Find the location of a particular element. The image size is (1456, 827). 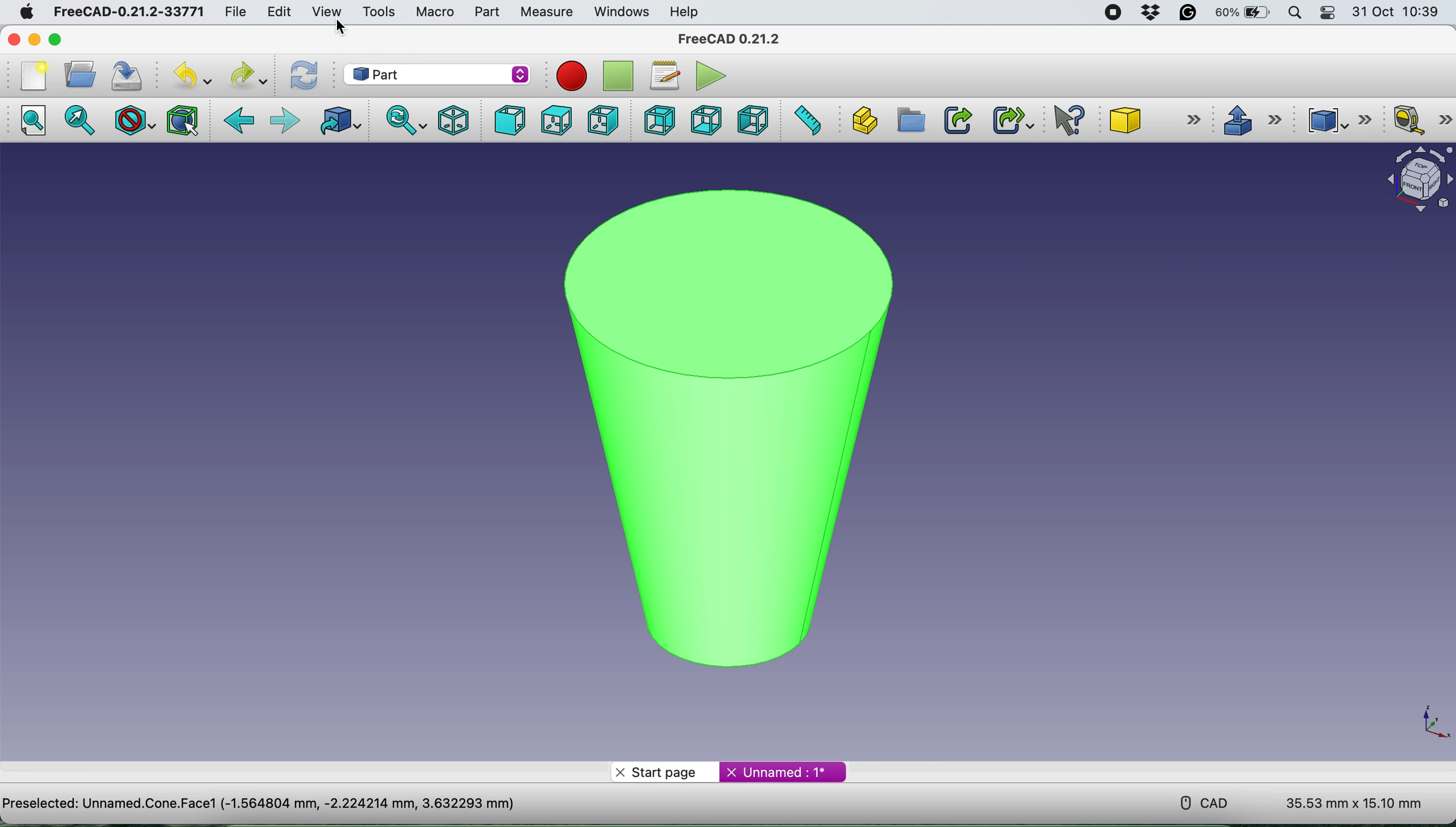

cursor is located at coordinates (336, 27).